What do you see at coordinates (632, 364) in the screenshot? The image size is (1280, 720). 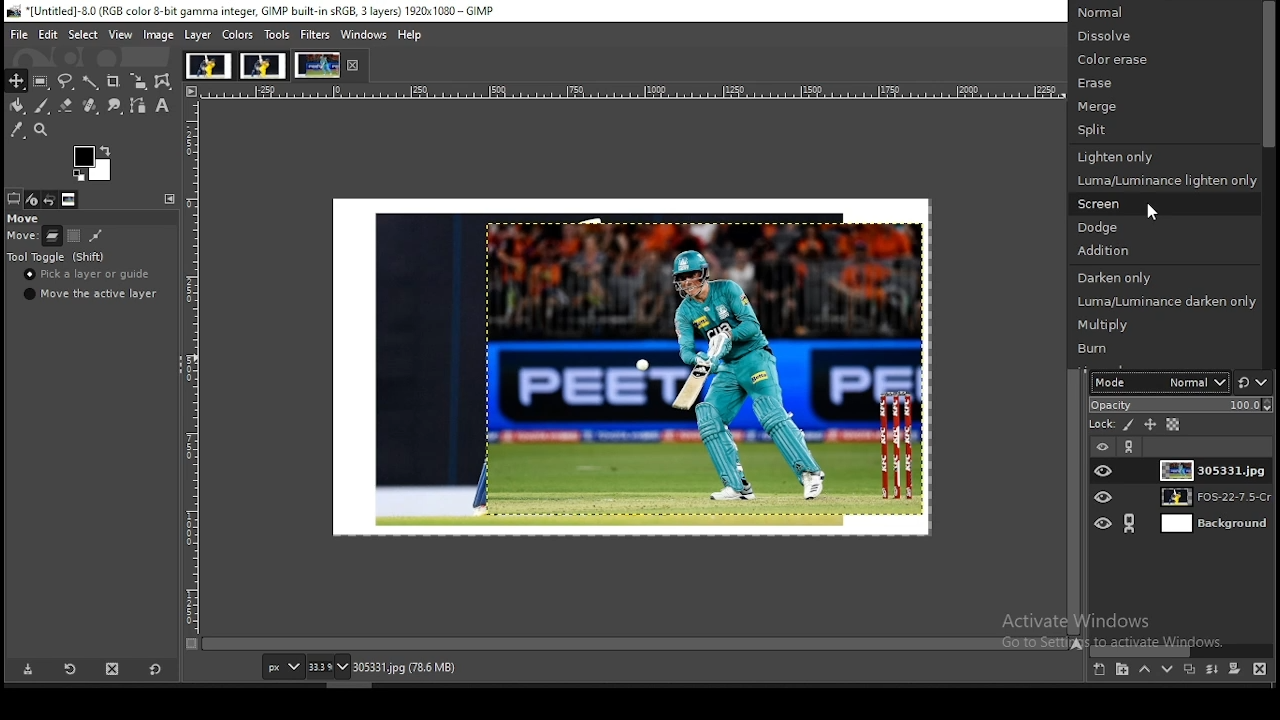 I see `image` at bounding box center [632, 364].